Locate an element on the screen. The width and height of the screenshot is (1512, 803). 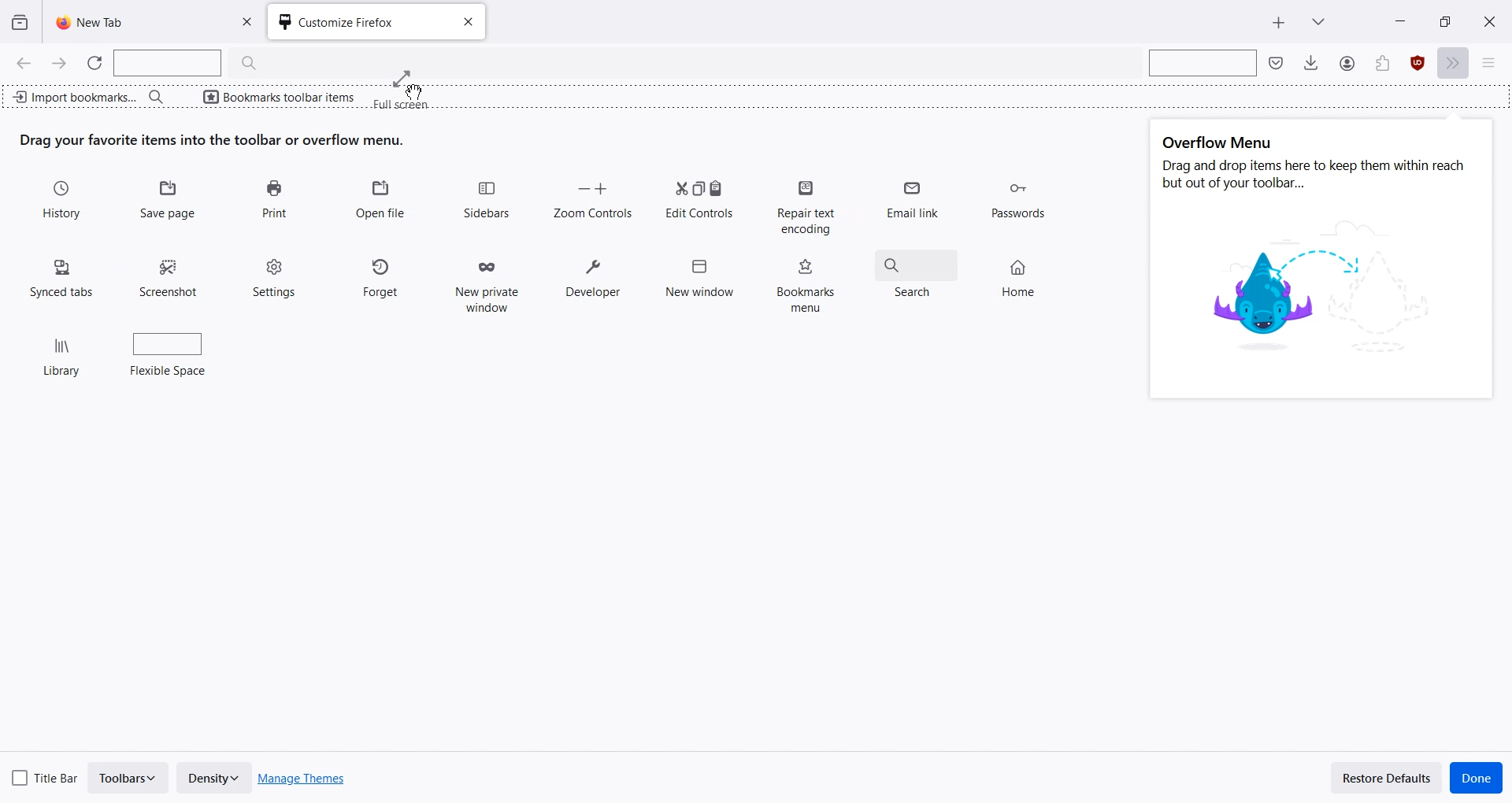
Go Forward one page  is located at coordinates (61, 63).